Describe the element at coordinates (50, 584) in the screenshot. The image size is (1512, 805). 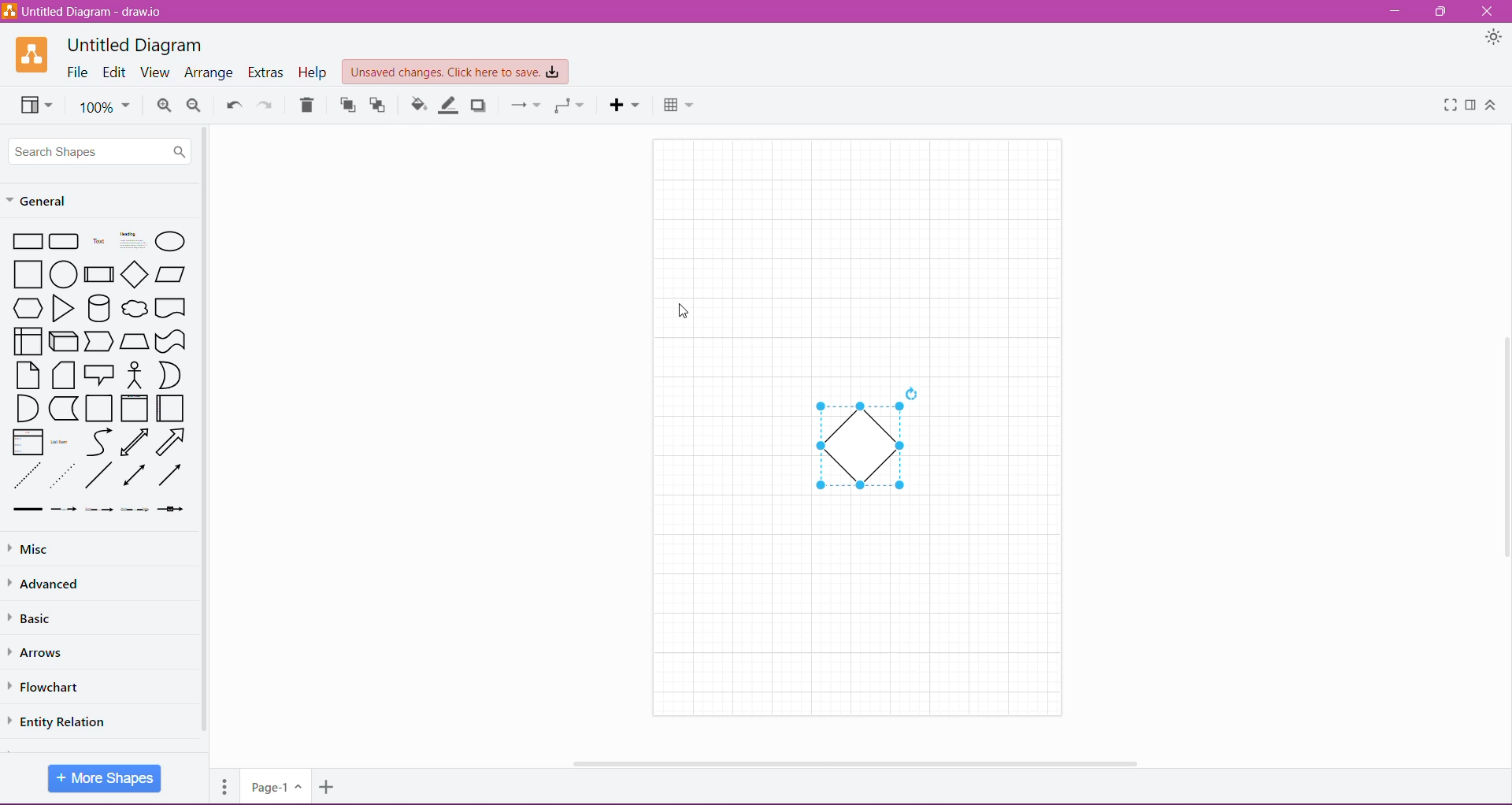
I see `Advanced` at that location.